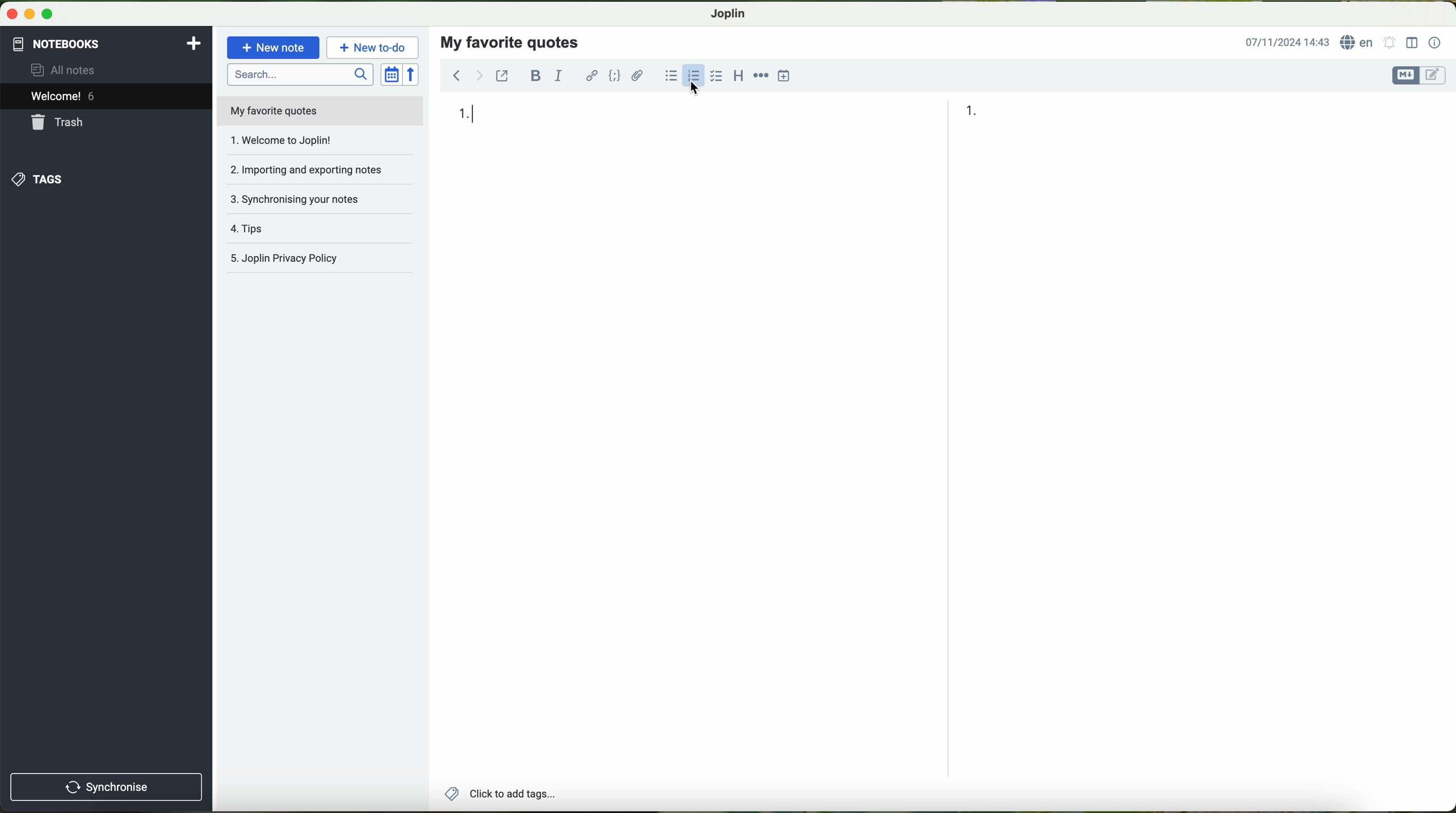 The width and height of the screenshot is (1456, 813). I want to click on welcome 6, so click(110, 96).